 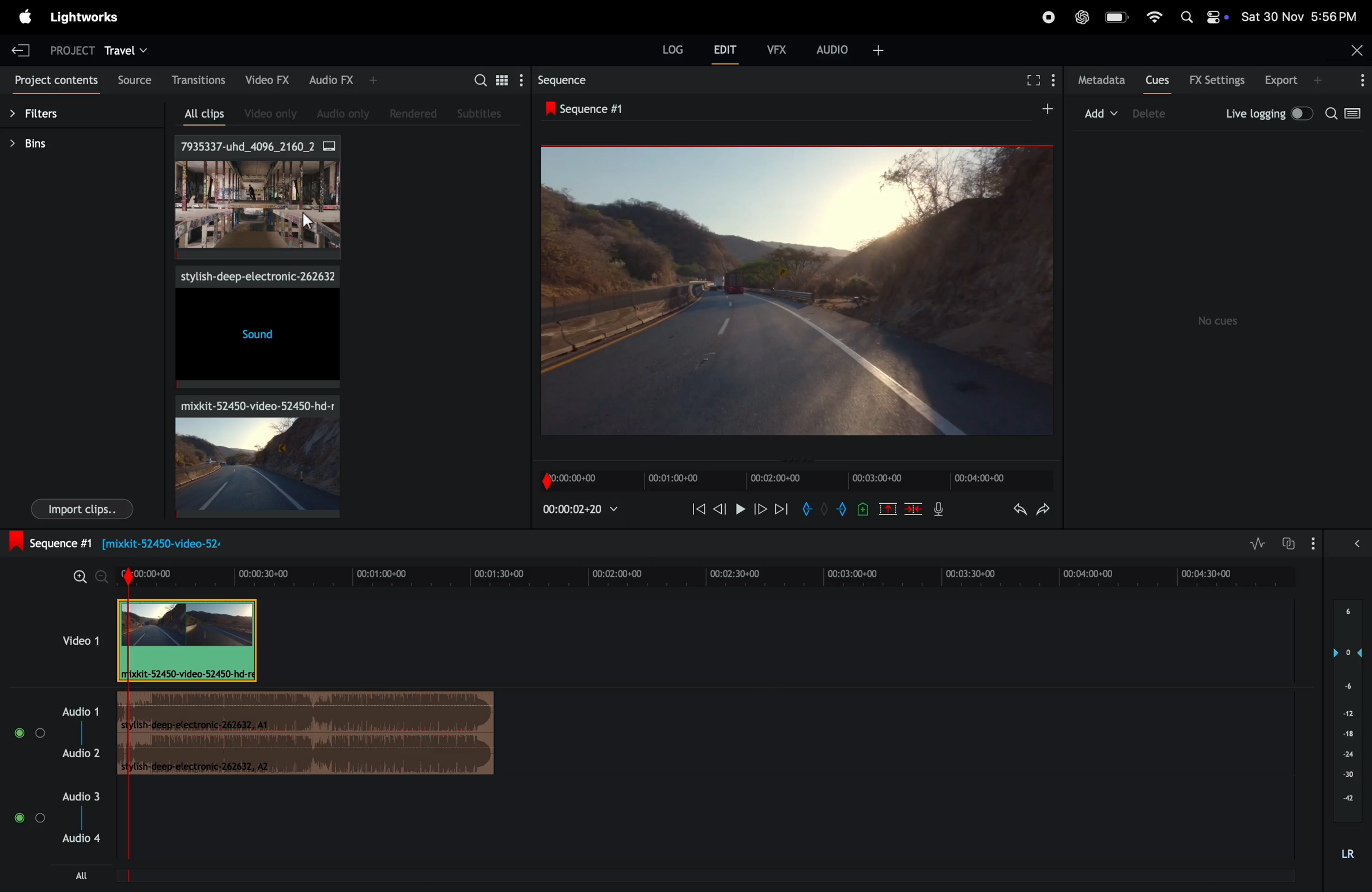 What do you see at coordinates (45, 116) in the screenshot?
I see `filters` at bounding box center [45, 116].